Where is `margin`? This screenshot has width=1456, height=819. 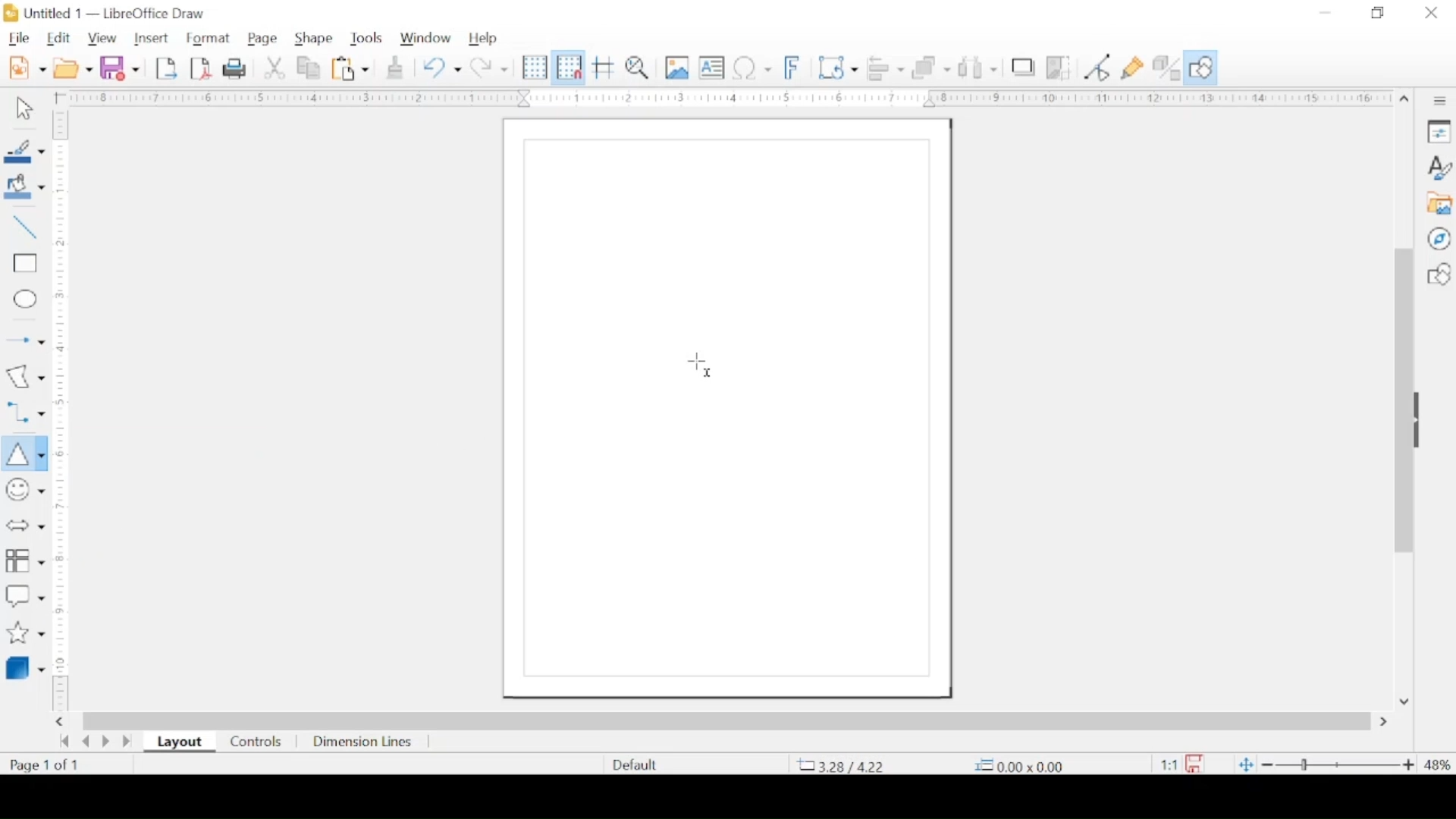
margin is located at coordinates (63, 413).